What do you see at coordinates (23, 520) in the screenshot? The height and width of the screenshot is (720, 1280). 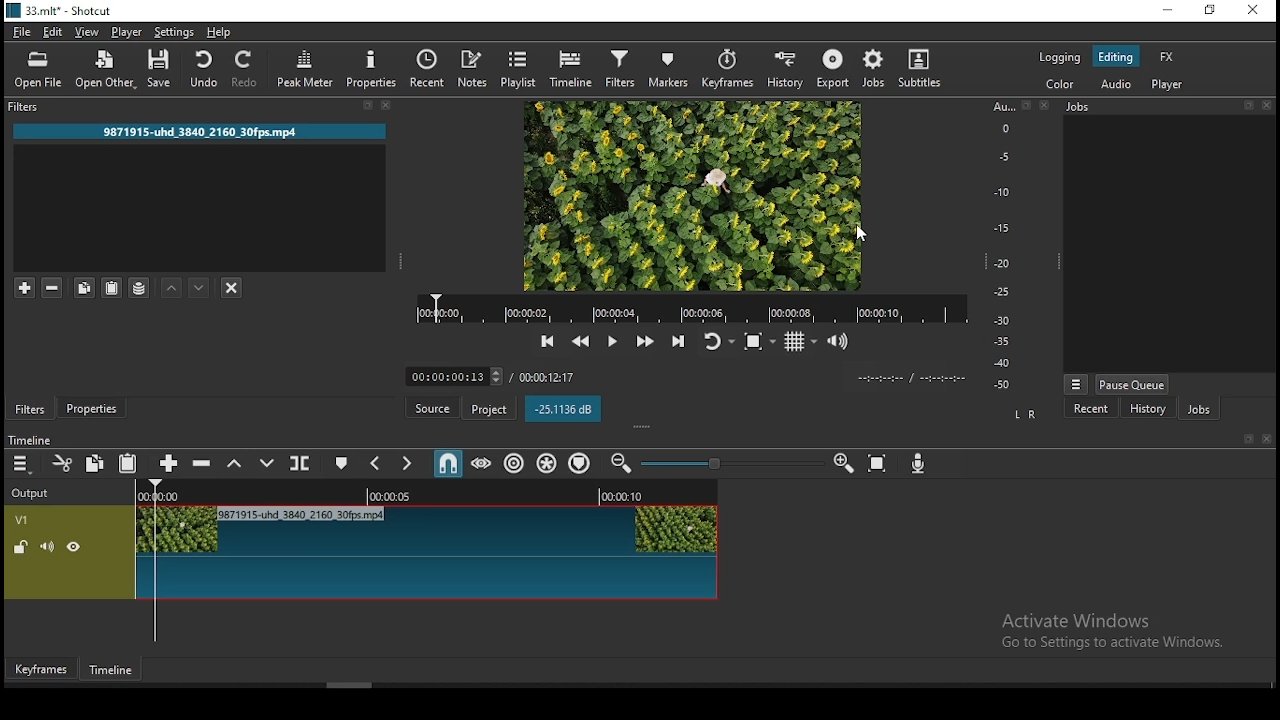 I see `V1` at bounding box center [23, 520].